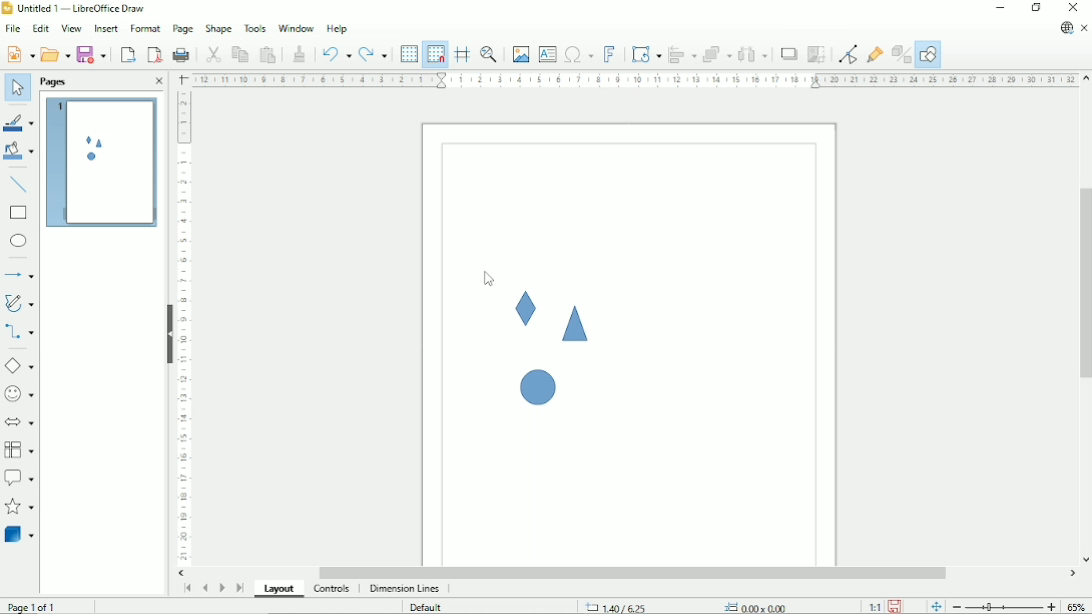 The height and width of the screenshot is (614, 1092). What do you see at coordinates (847, 54) in the screenshot?
I see `Toggle point edit mode` at bounding box center [847, 54].